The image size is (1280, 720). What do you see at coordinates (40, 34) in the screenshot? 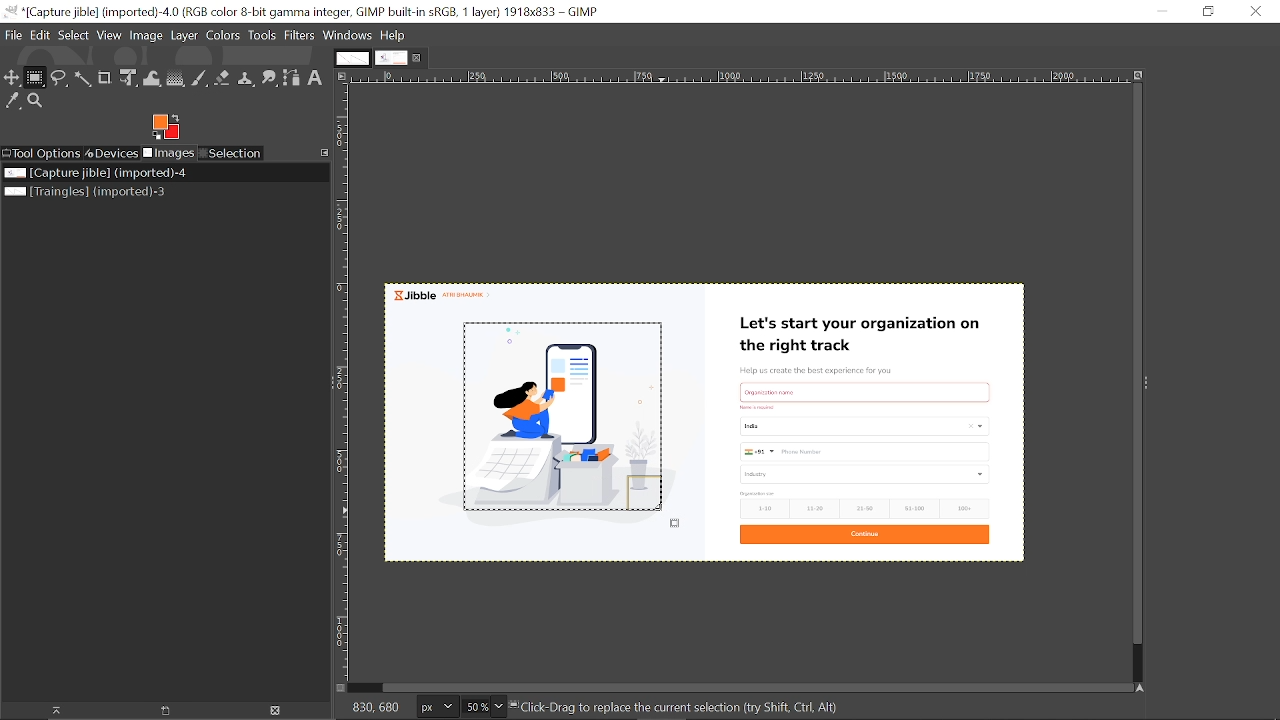
I see `Edit` at bounding box center [40, 34].